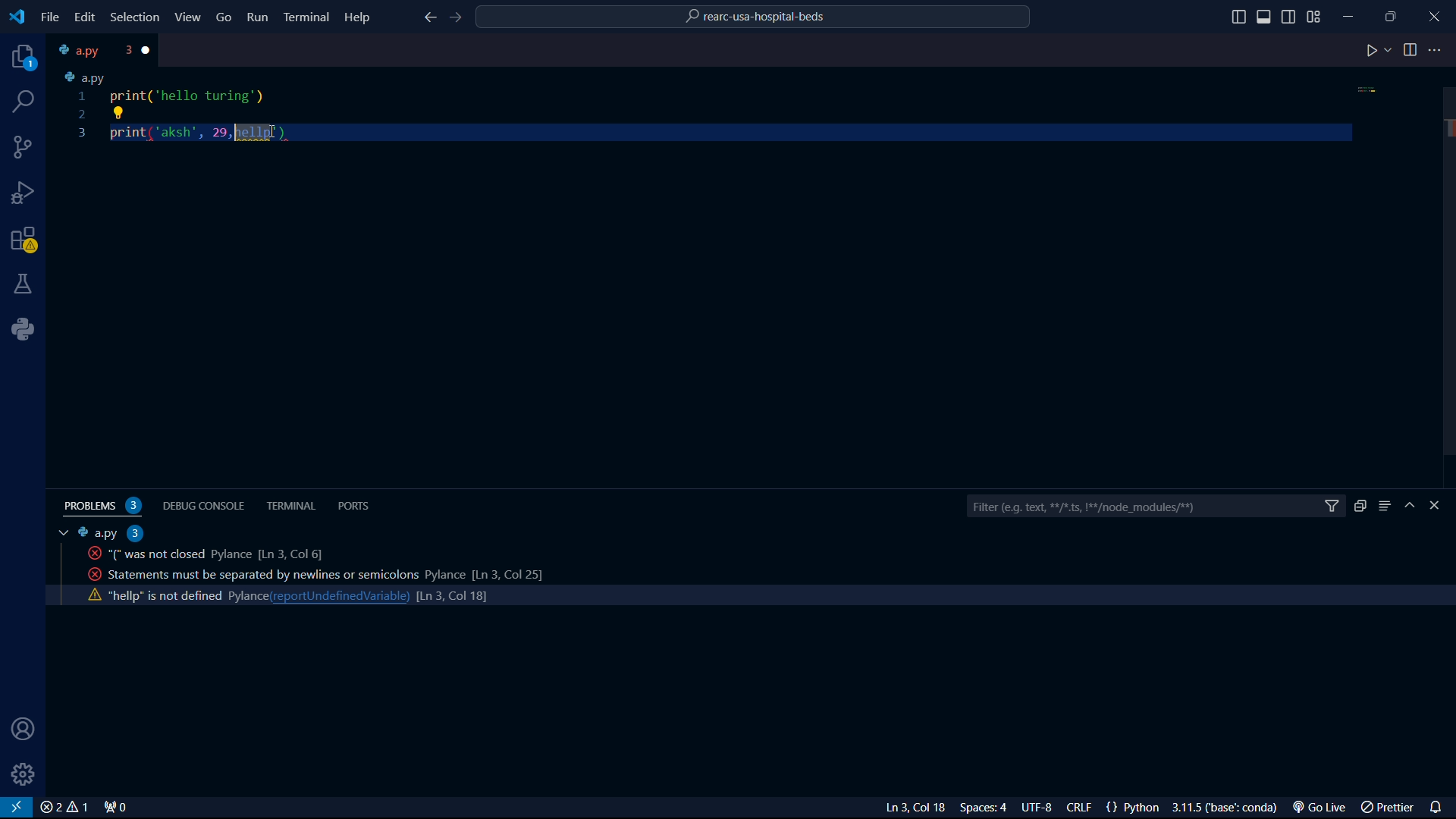 This screenshot has width=1456, height=819. What do you see at coordinates (306, 16) in the screenshot?
I see `Terminal` at bounding box center [306, 16].